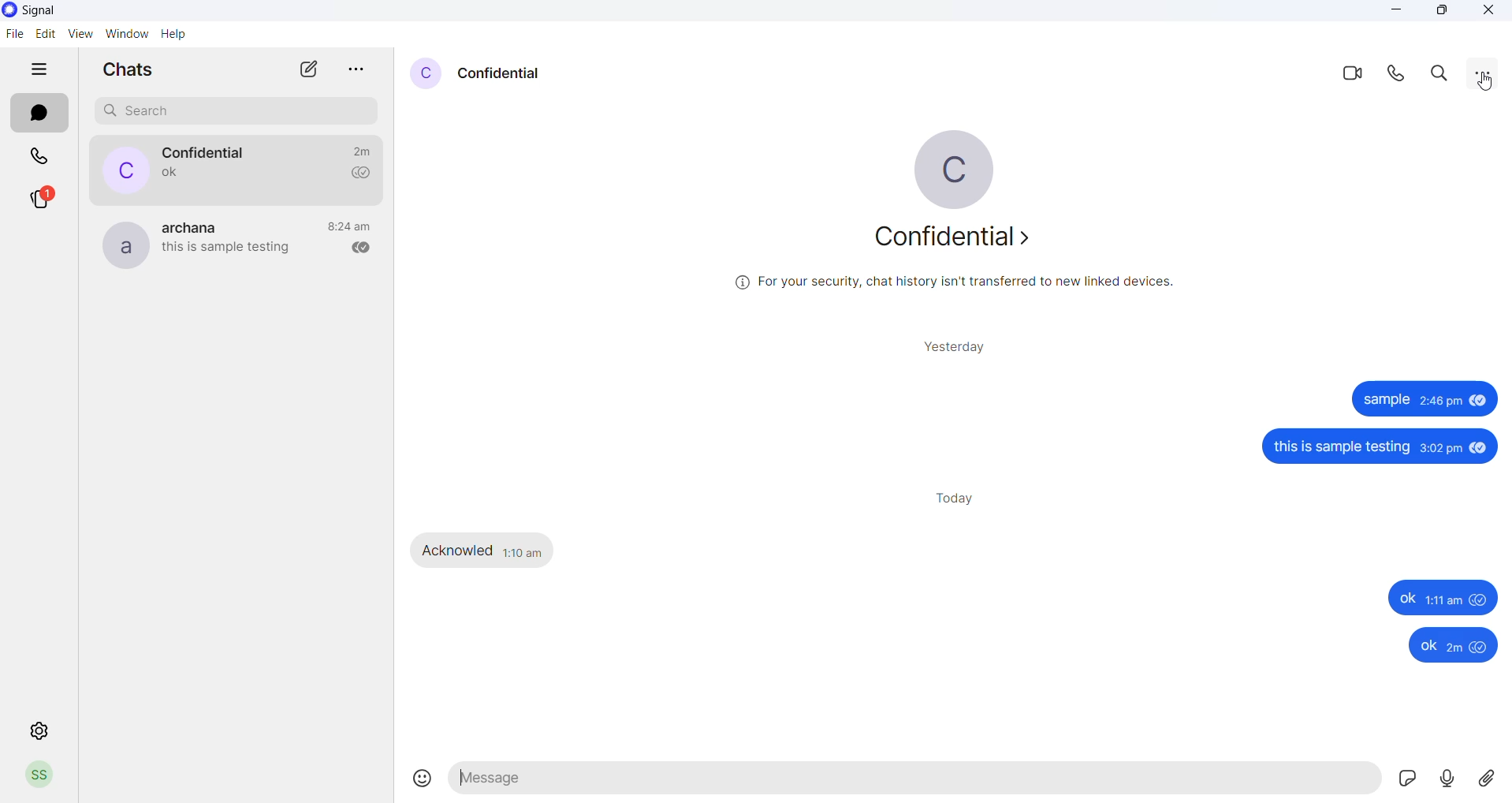 The width and height of the screenshot is (1512, 803). Describe the element at coordinates (420, 780) in the screenshot. I see `emojis` at that location.